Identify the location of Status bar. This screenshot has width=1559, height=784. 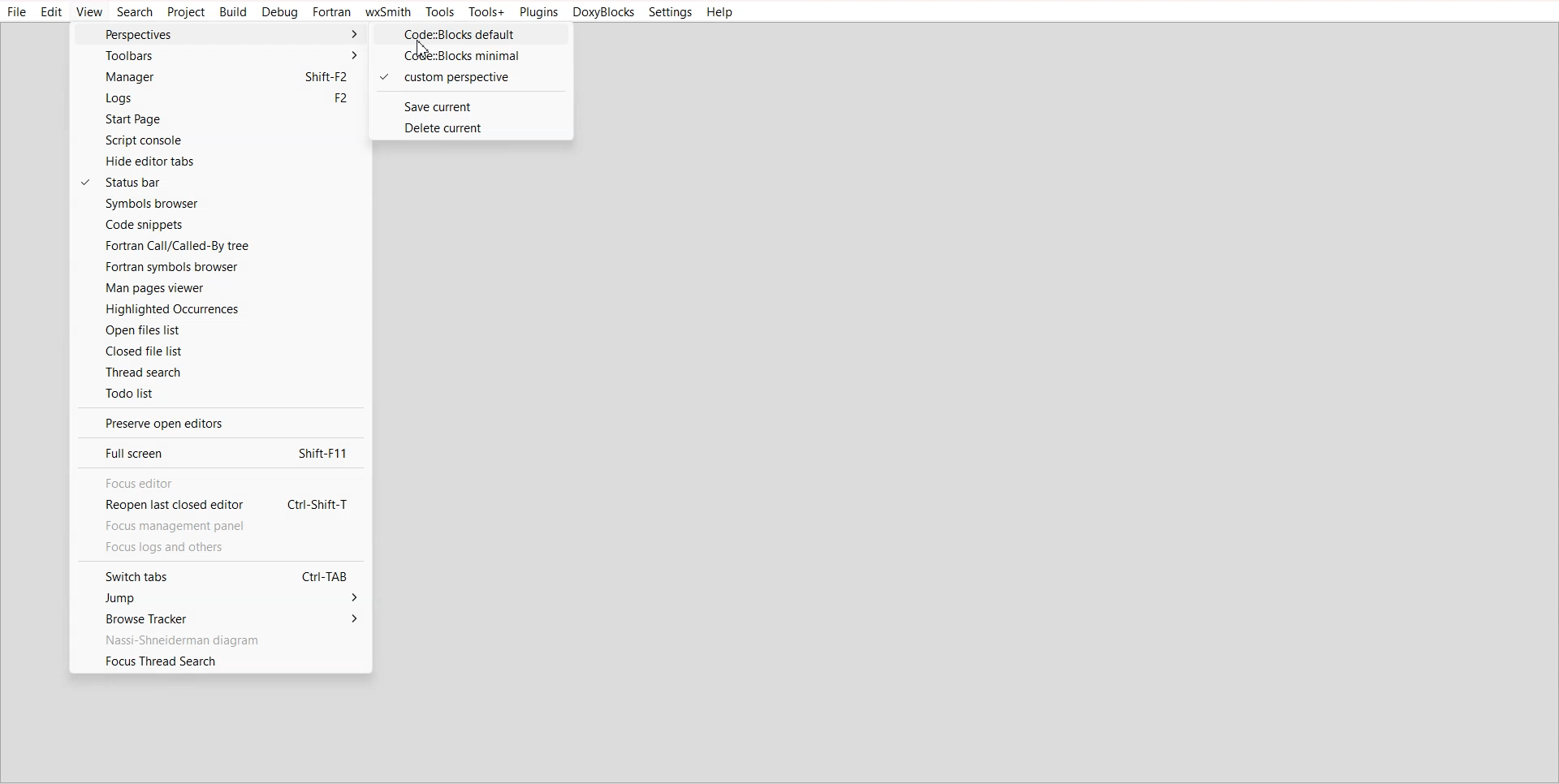
(221, 182).